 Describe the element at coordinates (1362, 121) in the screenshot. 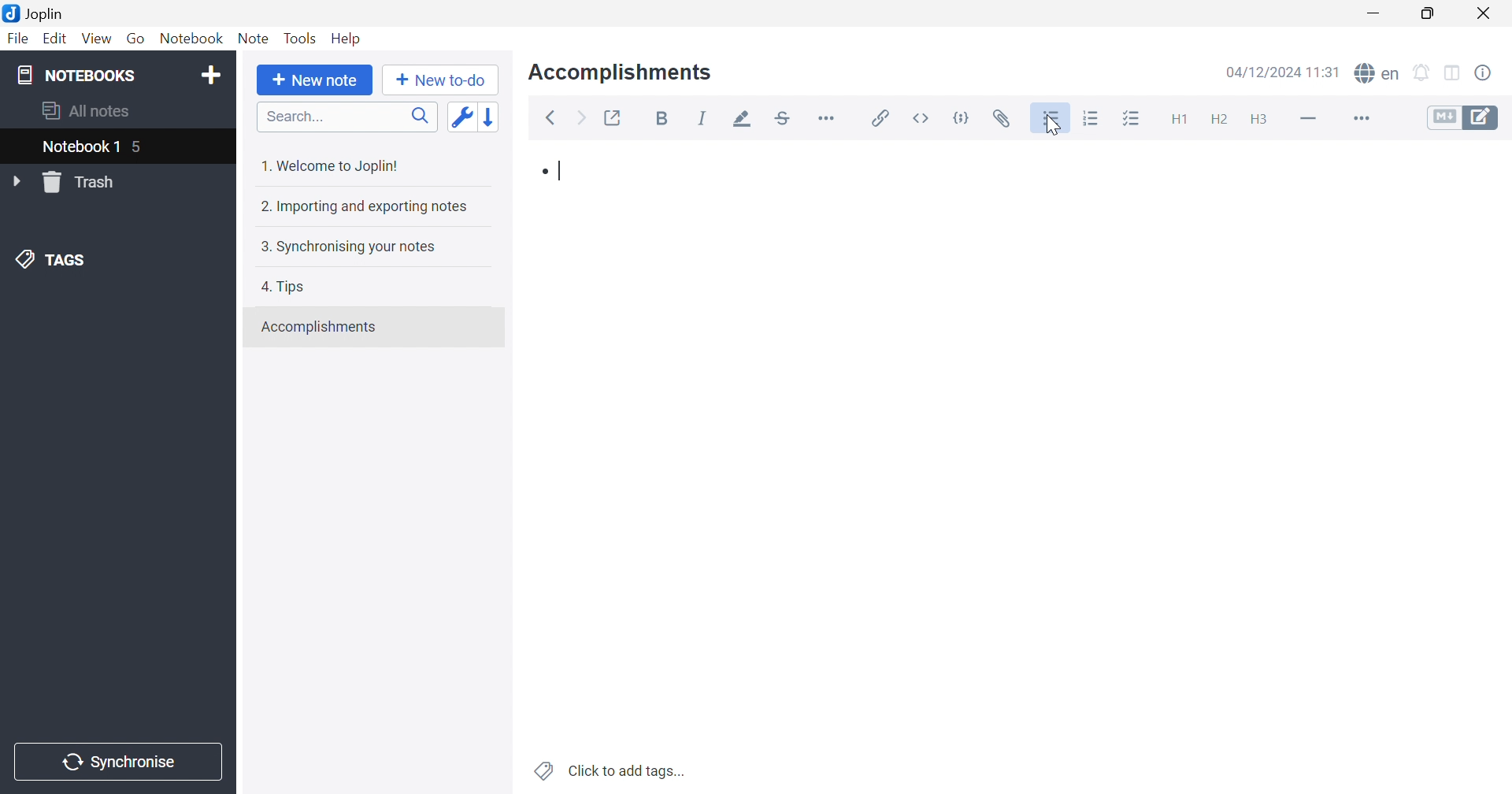

I see `More` at that location.